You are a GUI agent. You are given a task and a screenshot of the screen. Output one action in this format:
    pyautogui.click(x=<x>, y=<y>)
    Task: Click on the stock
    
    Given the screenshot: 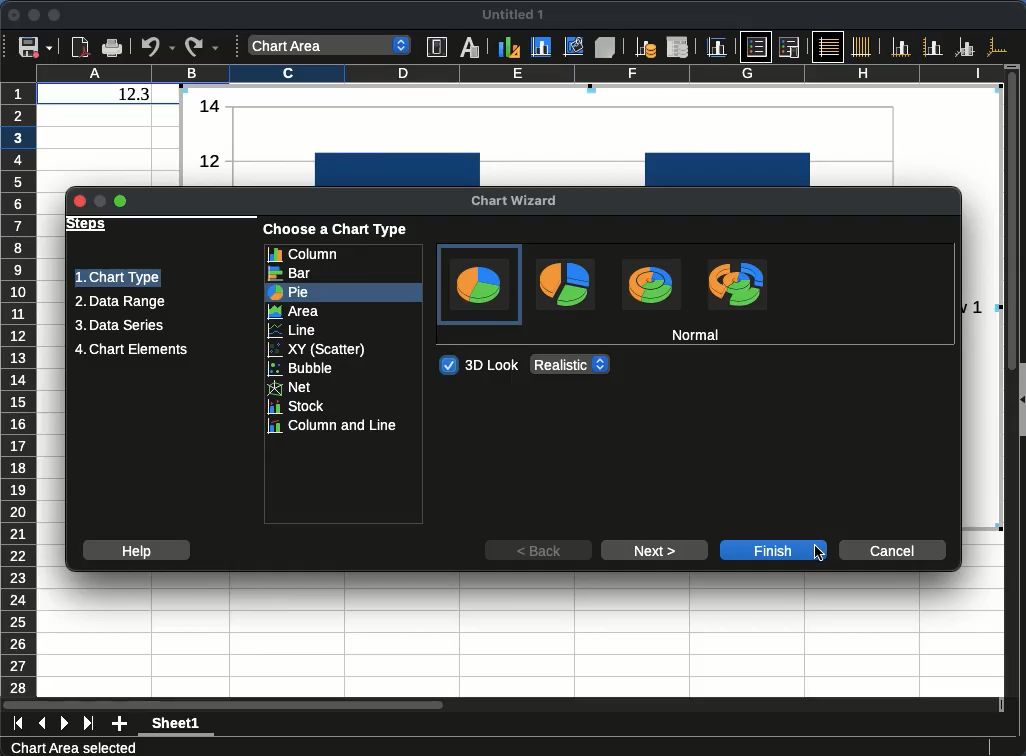 What is the action you would take?
    pyautogui.click(x=344, y=407)
    